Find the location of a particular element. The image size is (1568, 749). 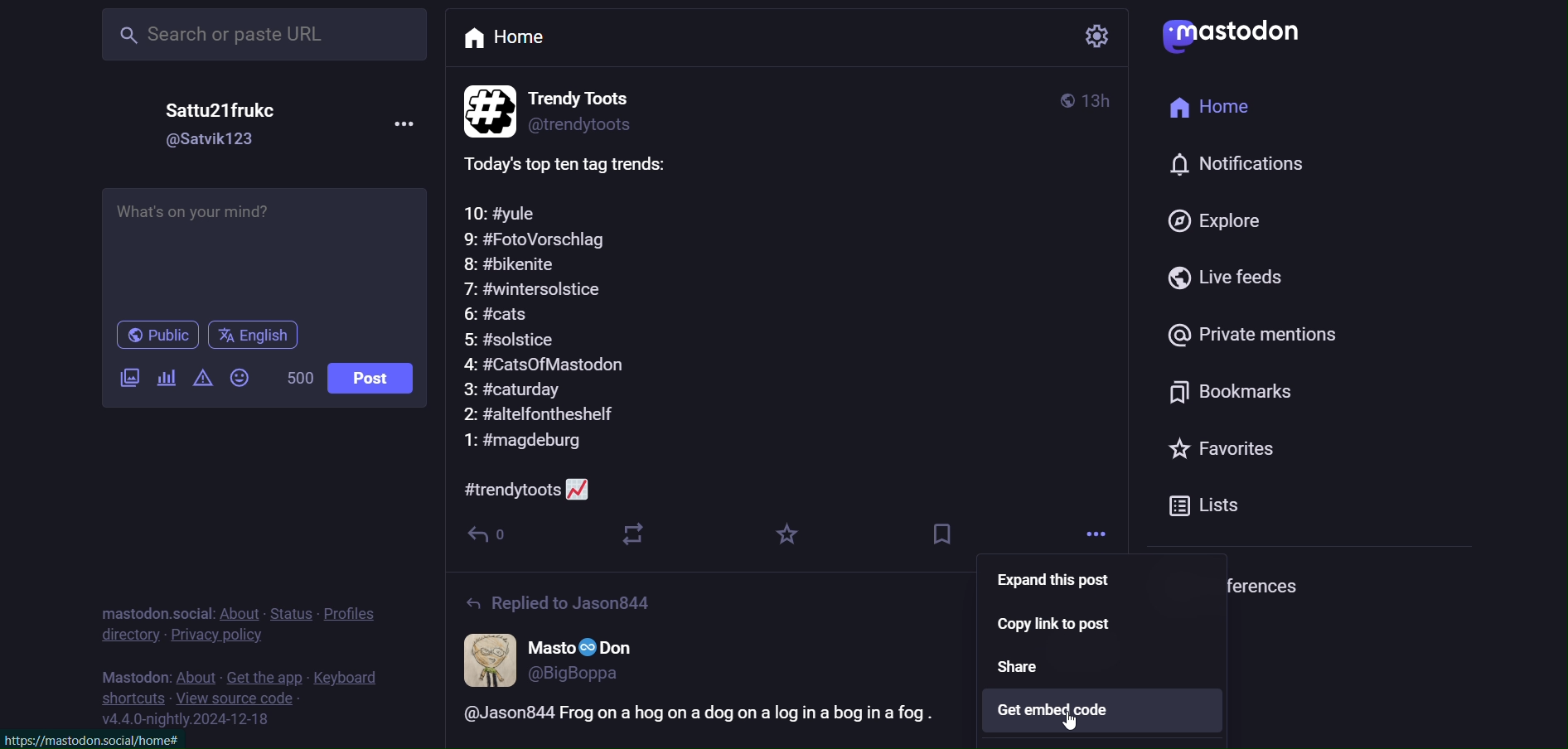

cursor is located at coordinates (1072, 728).